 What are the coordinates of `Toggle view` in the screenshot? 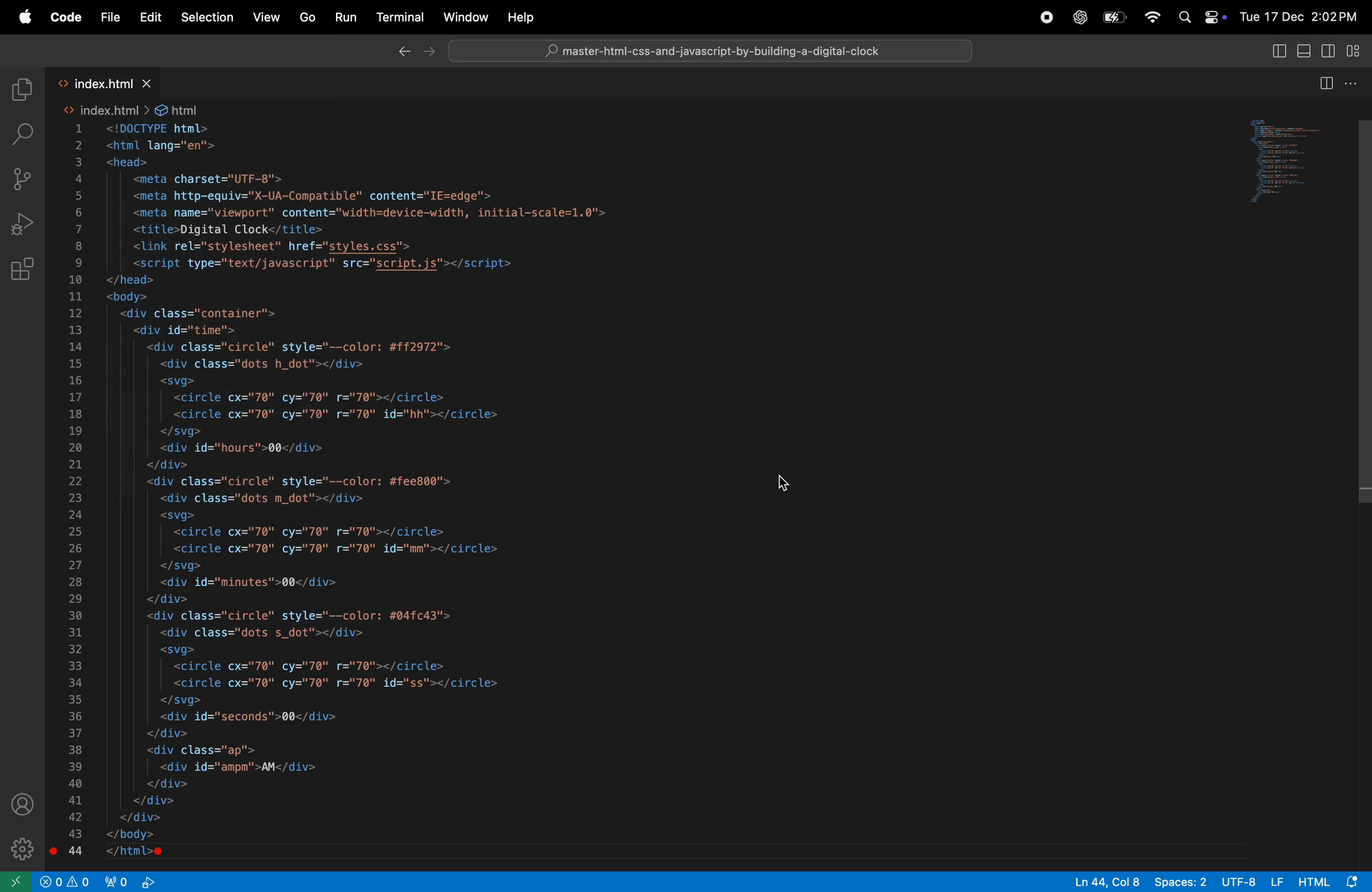 It's located at (1302, 54).